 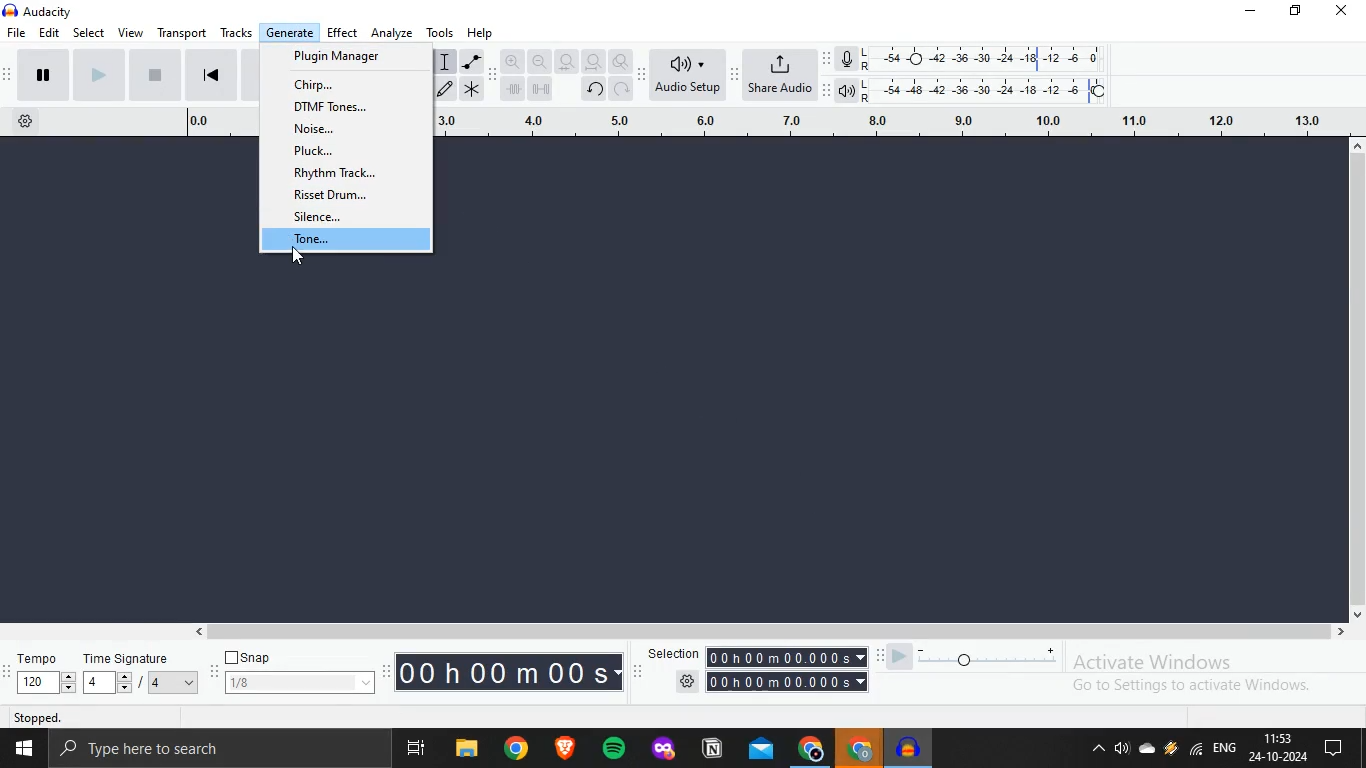 What do you see at coordinates (539, 63) in the screenshot?
I see `Zoom Out` at bounding box center [539, 63].